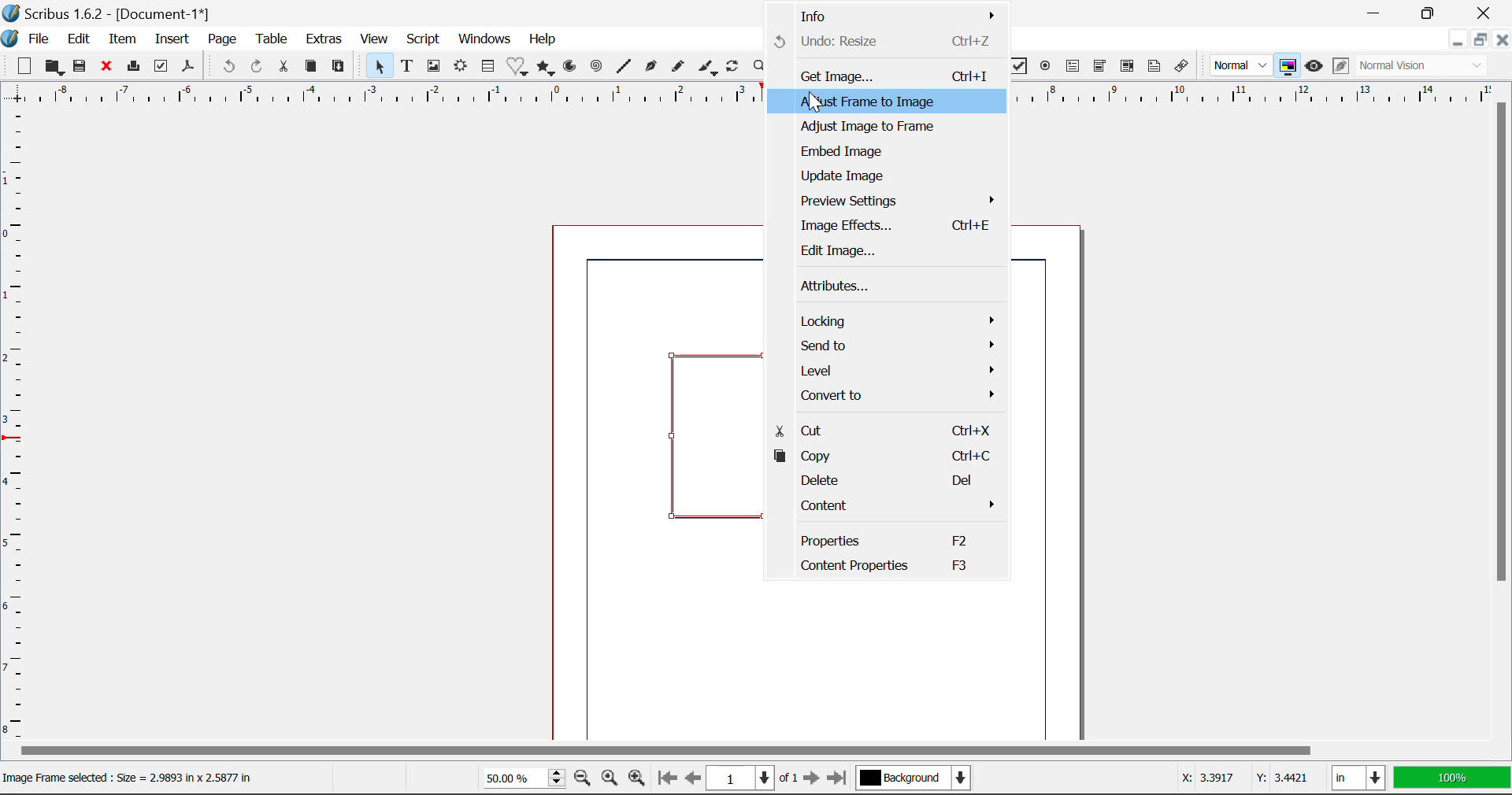  What do you see at coordinates (680, 68) in the screenshot?
I see `Freehand Line` at bounding box center [680, 68].